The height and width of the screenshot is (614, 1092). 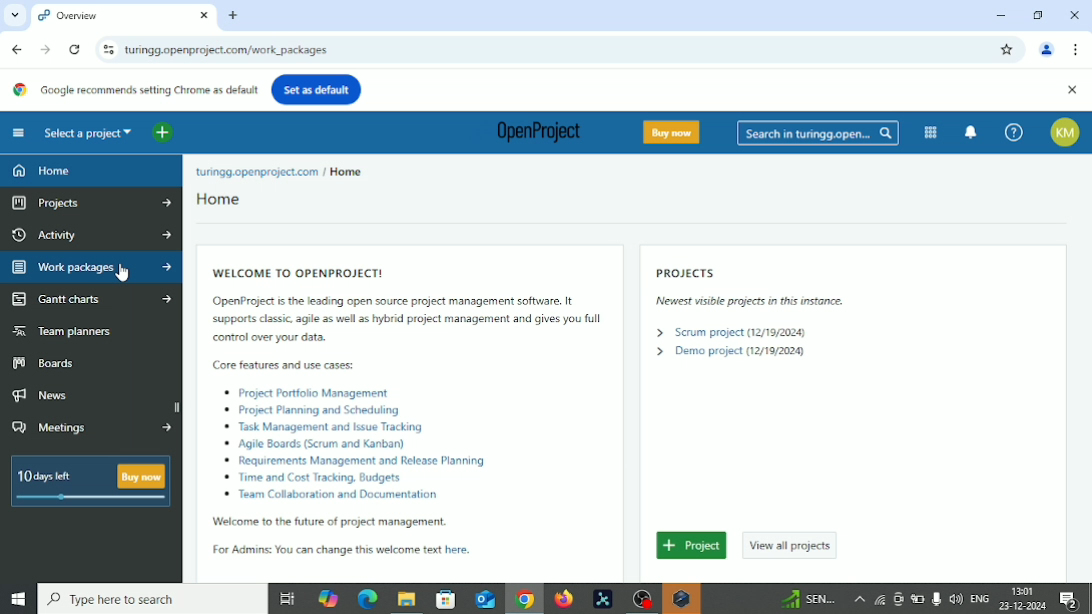 I want to click on turngg.openproject.com/work_packages, so click(x=231, y=51).